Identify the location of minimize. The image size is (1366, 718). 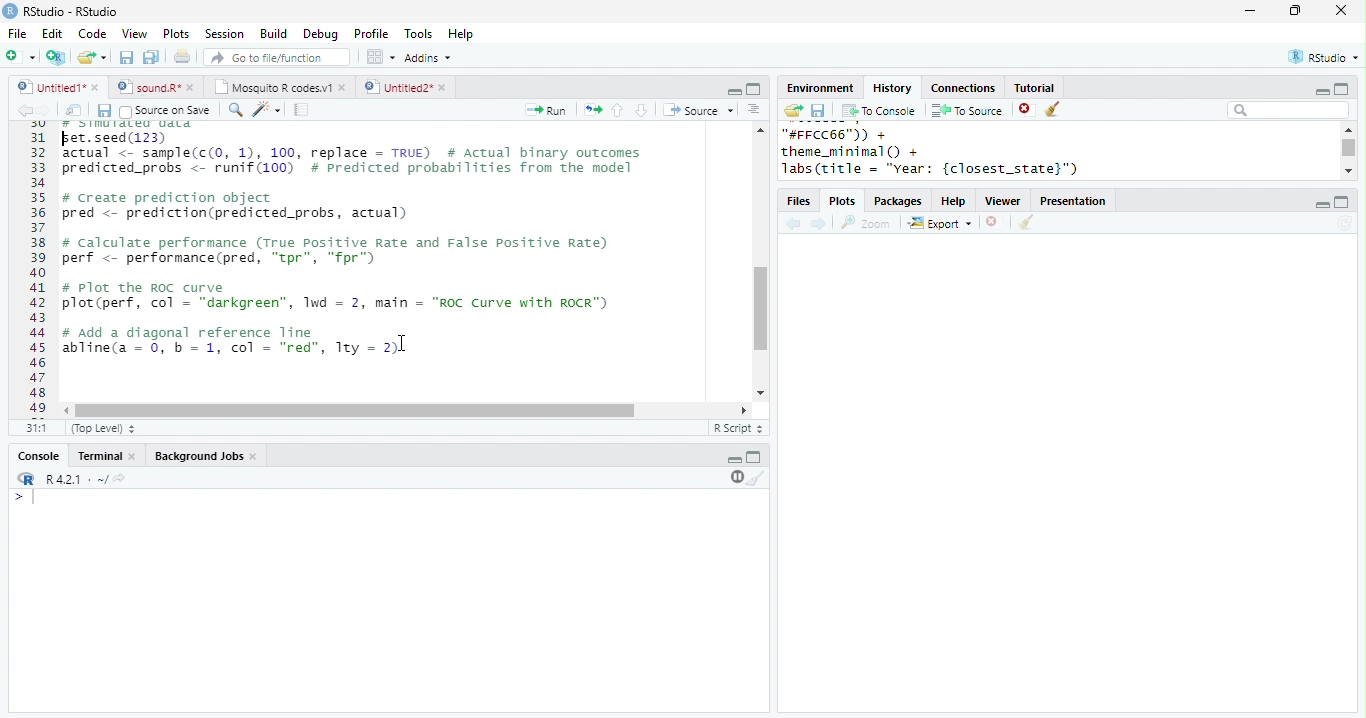
(1321, 92).